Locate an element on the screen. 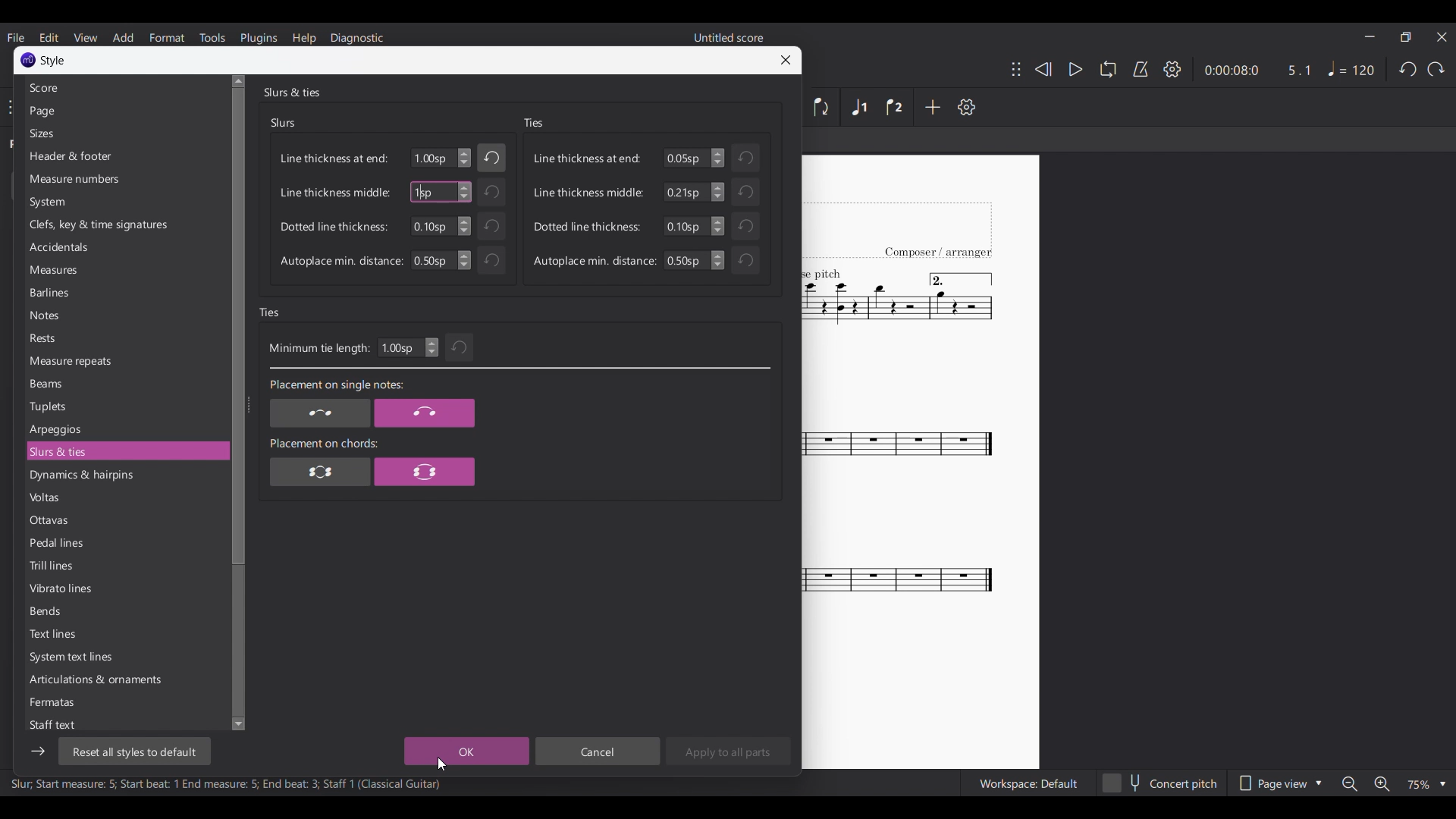 This screenshot has height=819, width=1456. Undo is located at coordinates (745, 158).